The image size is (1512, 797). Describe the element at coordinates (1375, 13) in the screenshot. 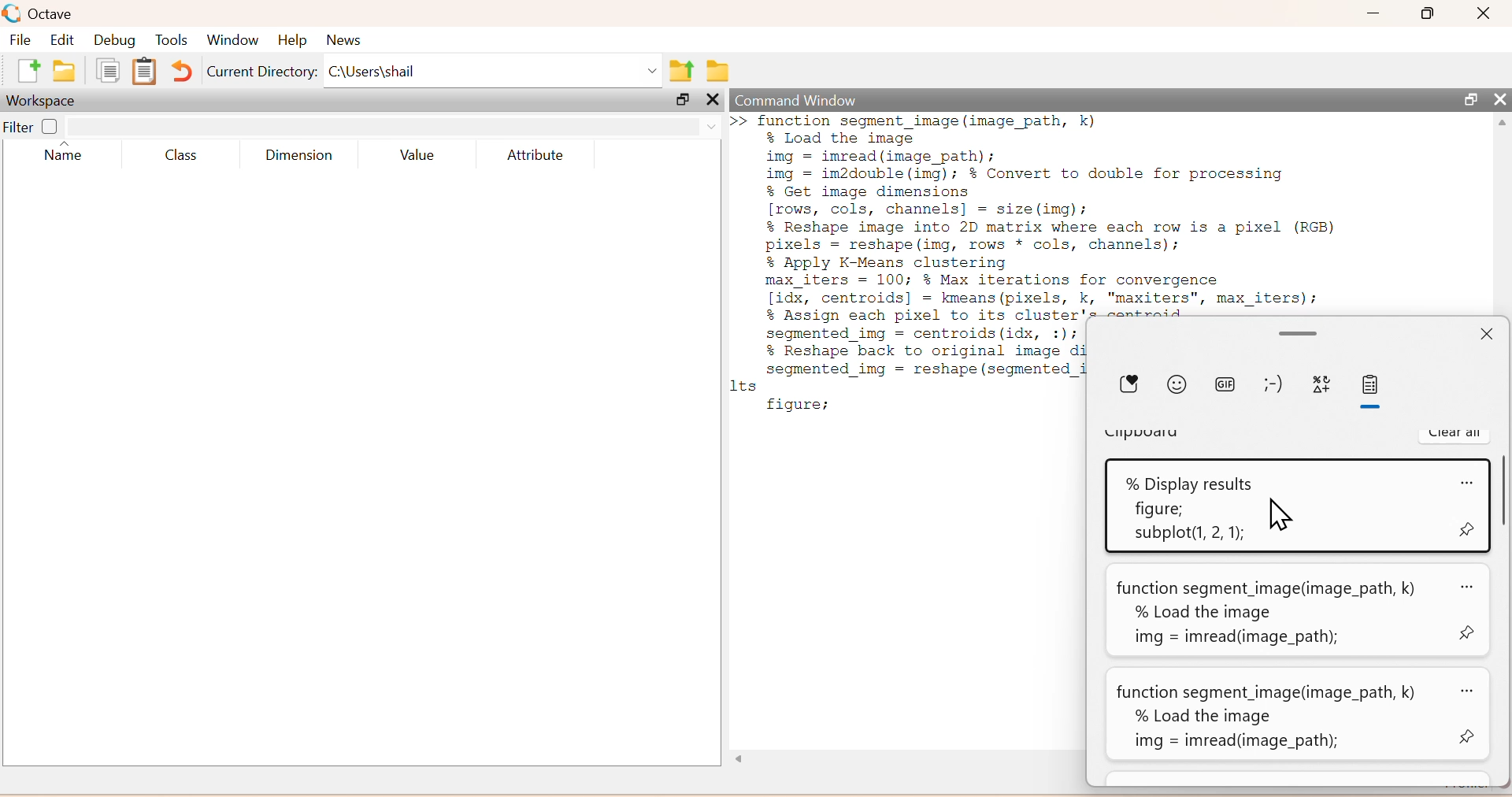

I see `Minimize` at that location.